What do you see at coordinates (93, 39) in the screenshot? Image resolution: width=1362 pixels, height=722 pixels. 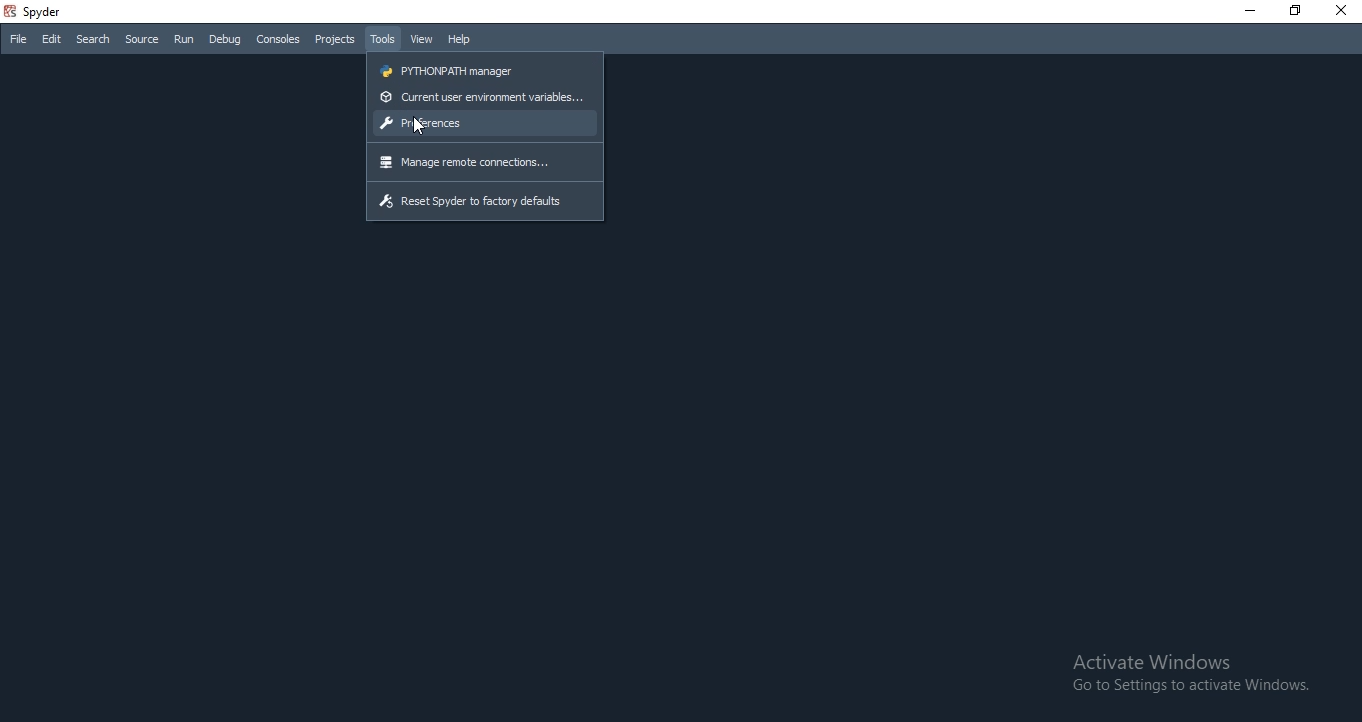 I see `Search` at bounding box center [93, 39].